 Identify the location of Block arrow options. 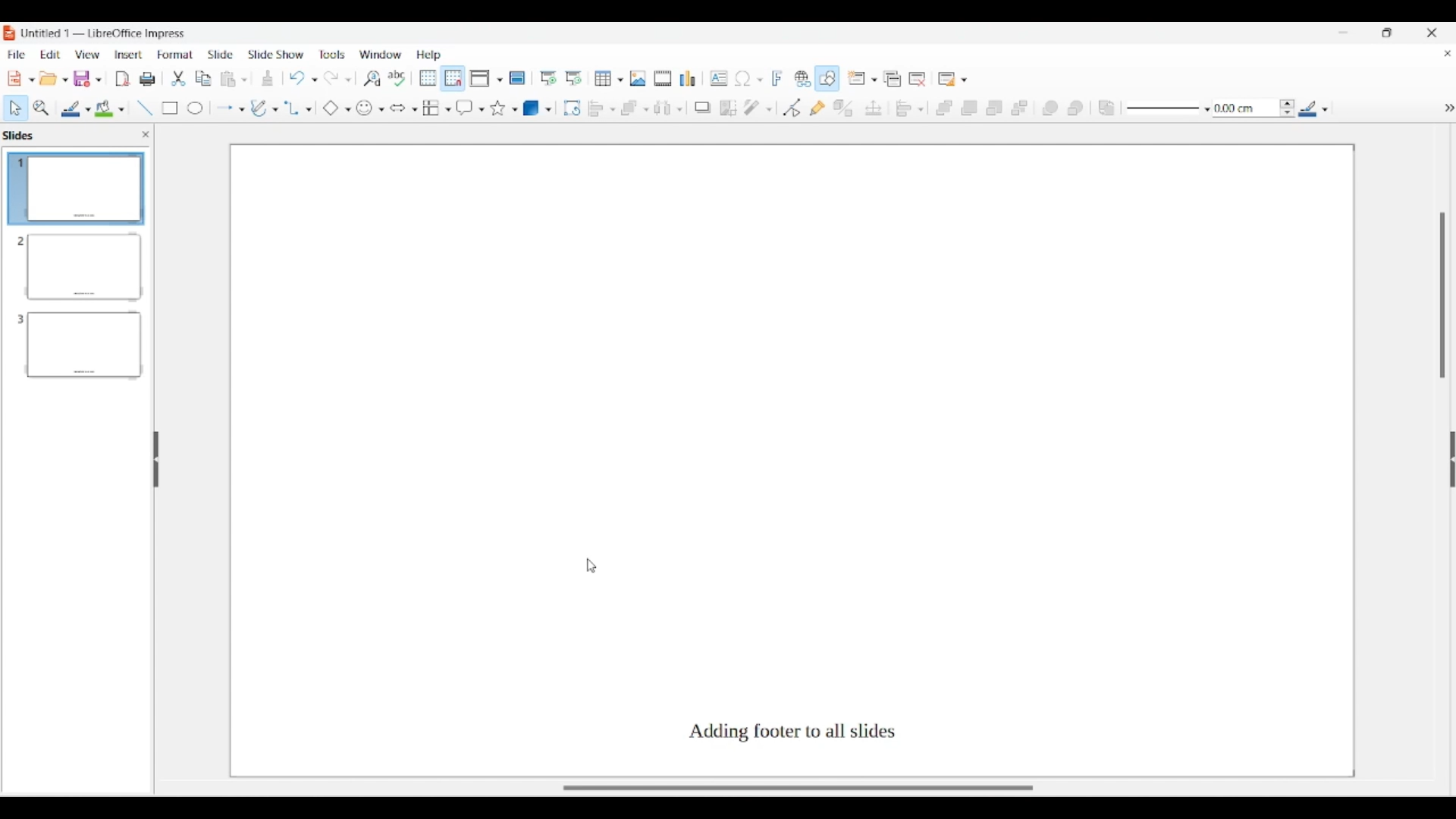
(404, 108).